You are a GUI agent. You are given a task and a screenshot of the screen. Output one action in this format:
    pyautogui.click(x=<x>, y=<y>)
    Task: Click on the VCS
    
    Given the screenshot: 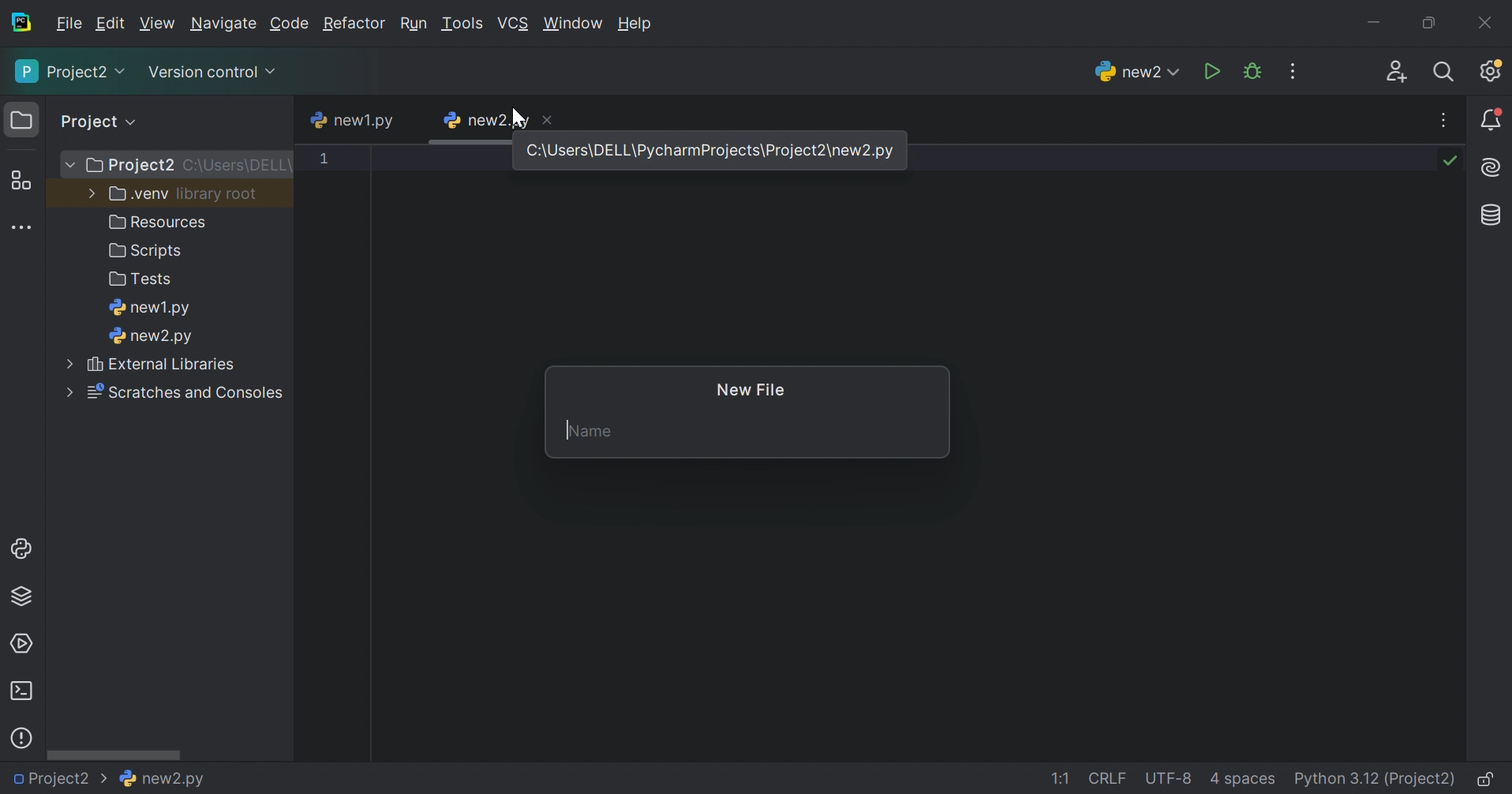 What is the action you would take?
    pyautogui.click(x=513, y=23)
    